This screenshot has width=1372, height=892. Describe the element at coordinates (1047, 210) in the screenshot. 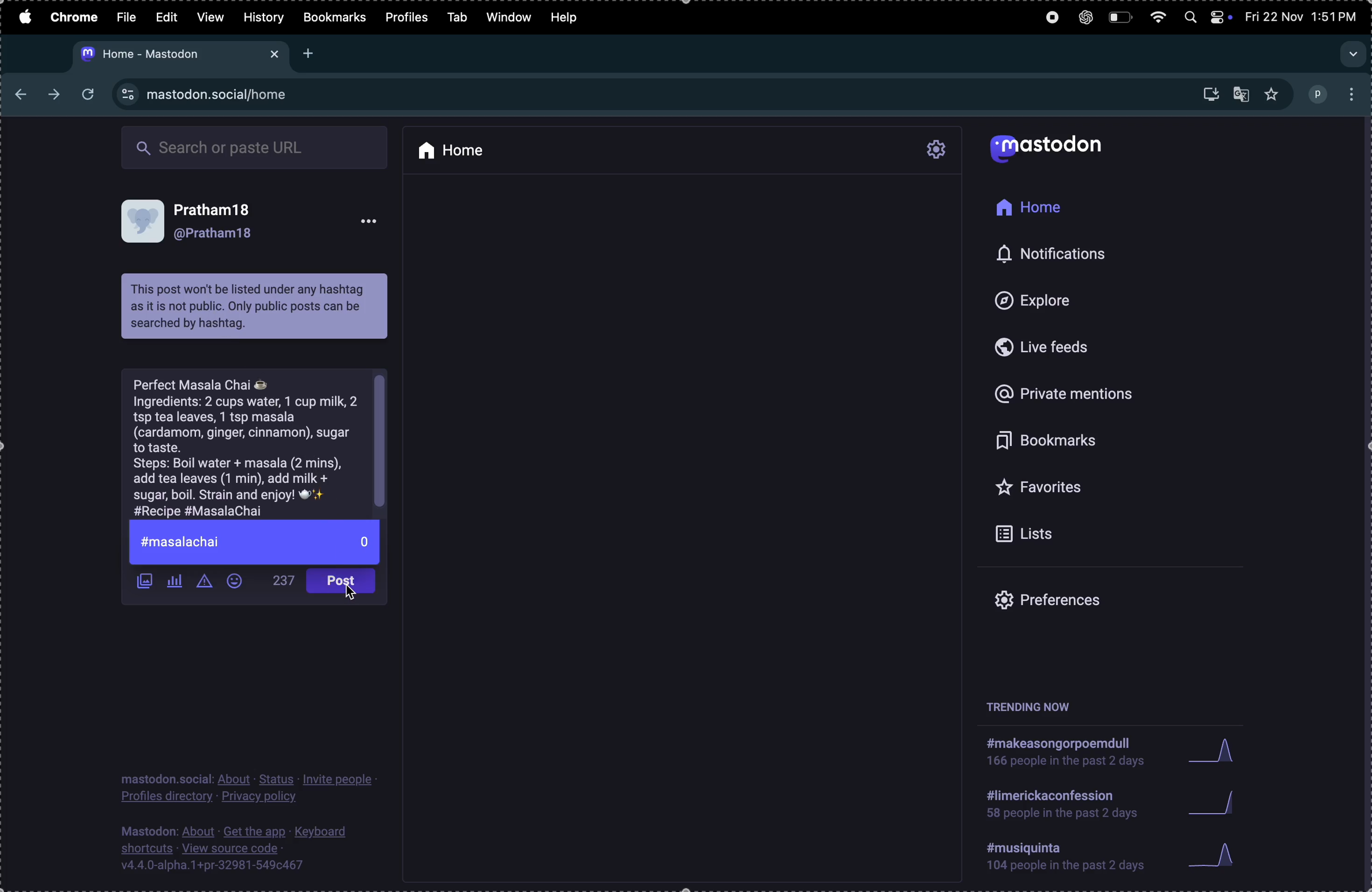

I see `home` at that location.